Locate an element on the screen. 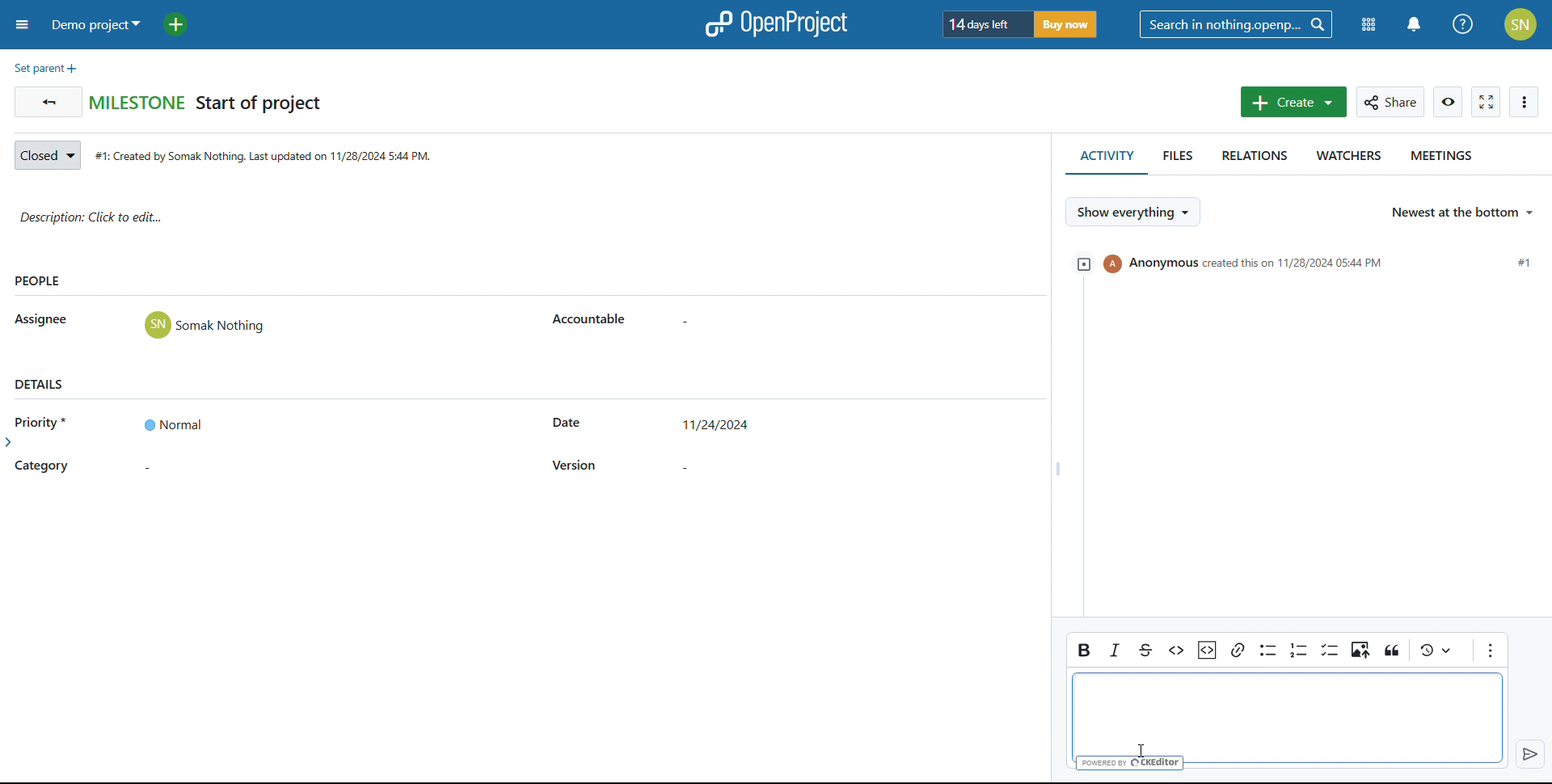  demo project is located at coordinates (97, 24).